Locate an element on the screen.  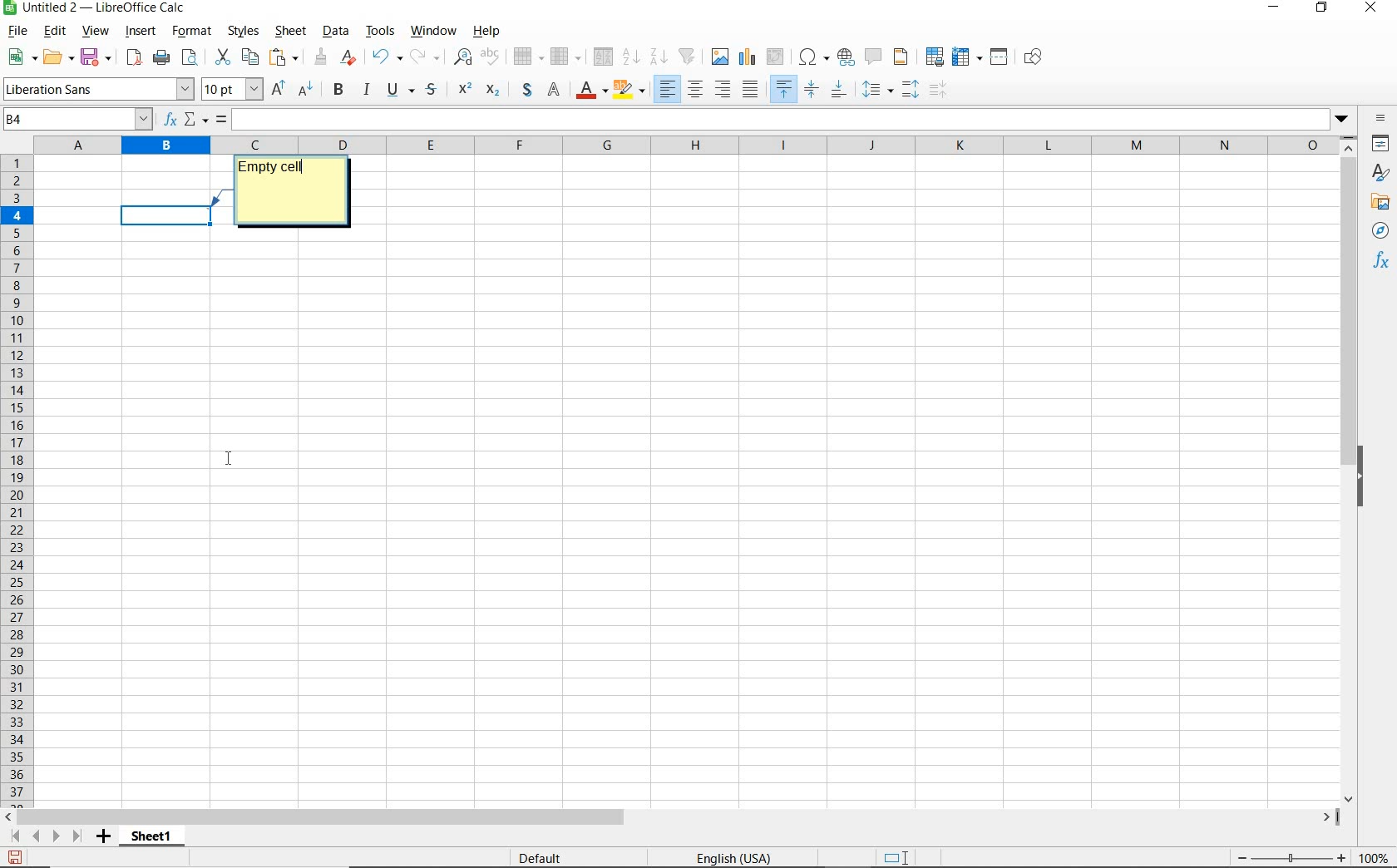
freeze rows and columns is located at coordinates (967, 57).